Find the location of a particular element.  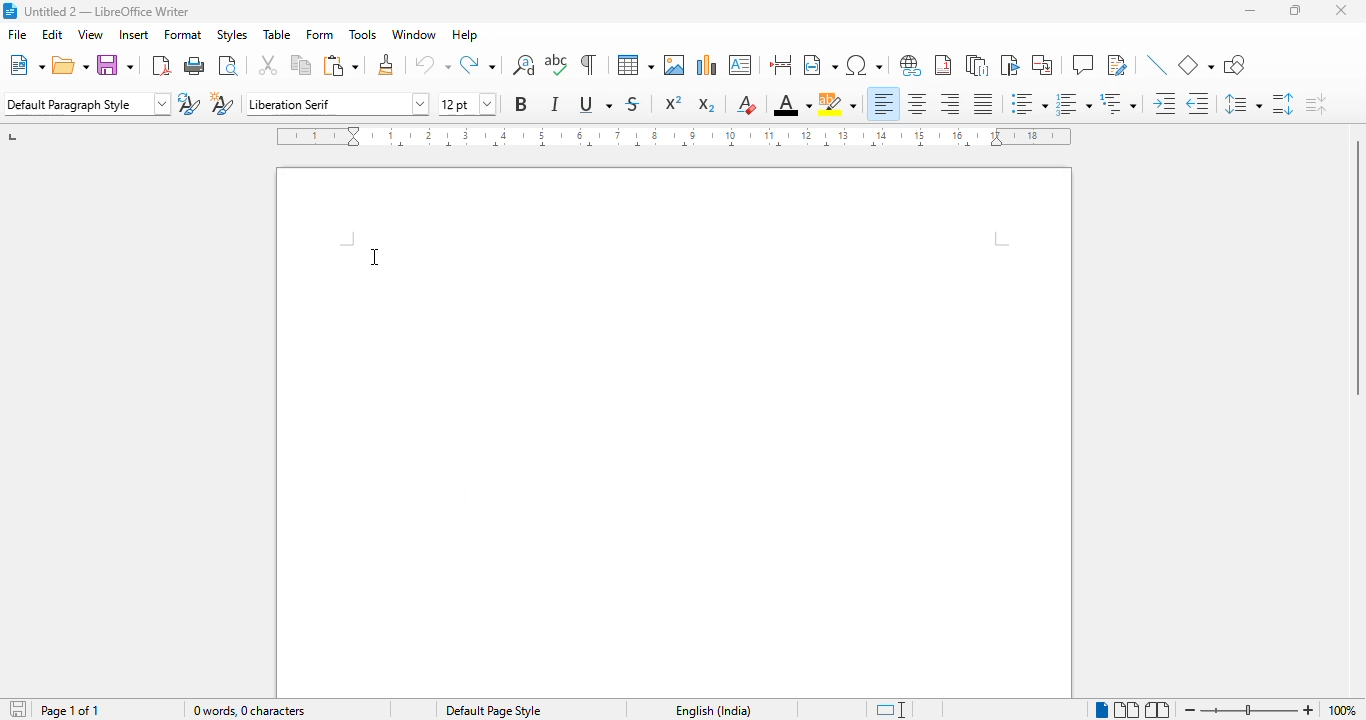

minimize is located at coordinates (1251, 11).